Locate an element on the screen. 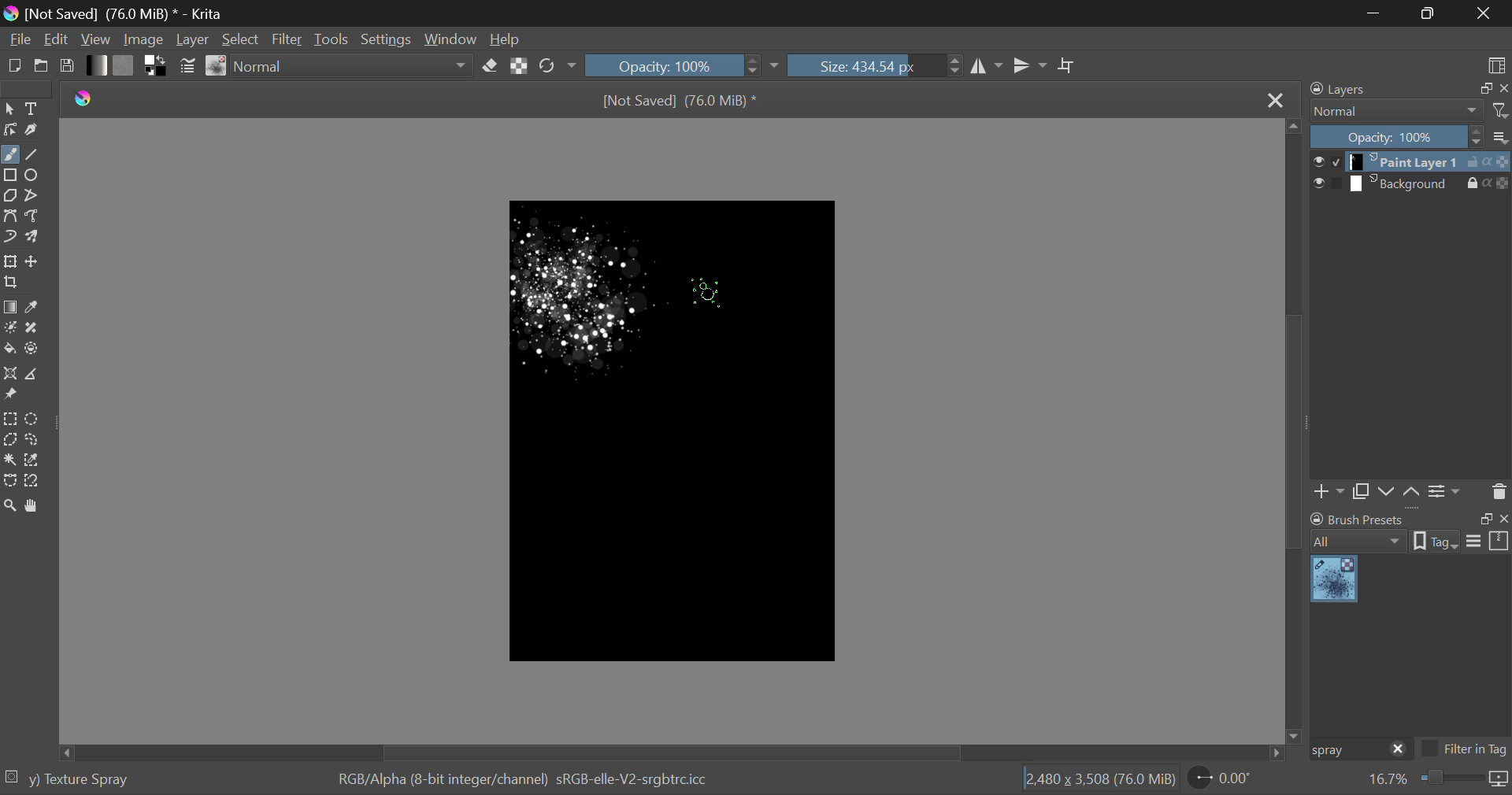  Colors in Use is located at coordinates (157, 66).